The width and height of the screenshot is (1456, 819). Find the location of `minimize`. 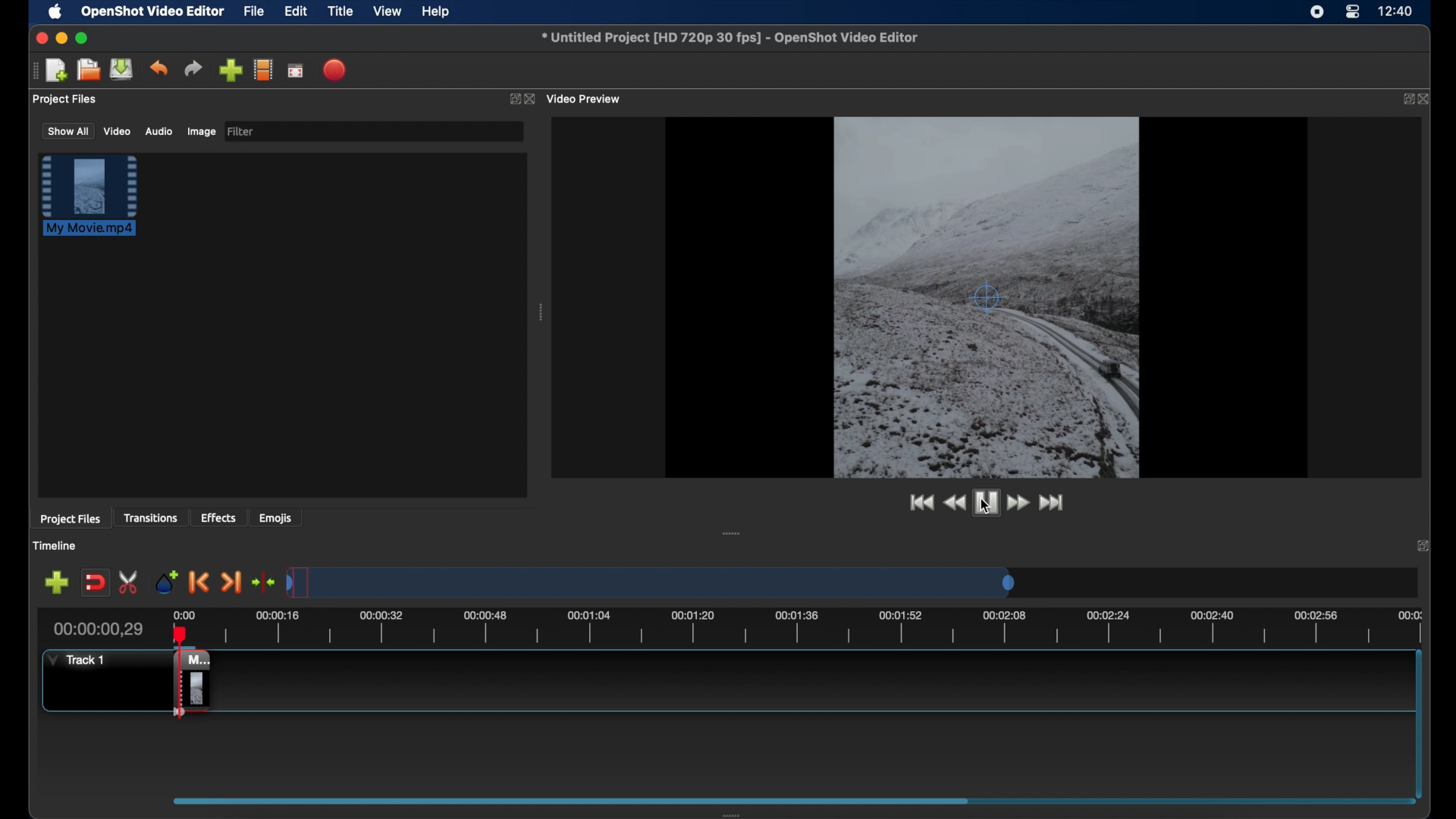

minimize is located at coordinates (61, 38).